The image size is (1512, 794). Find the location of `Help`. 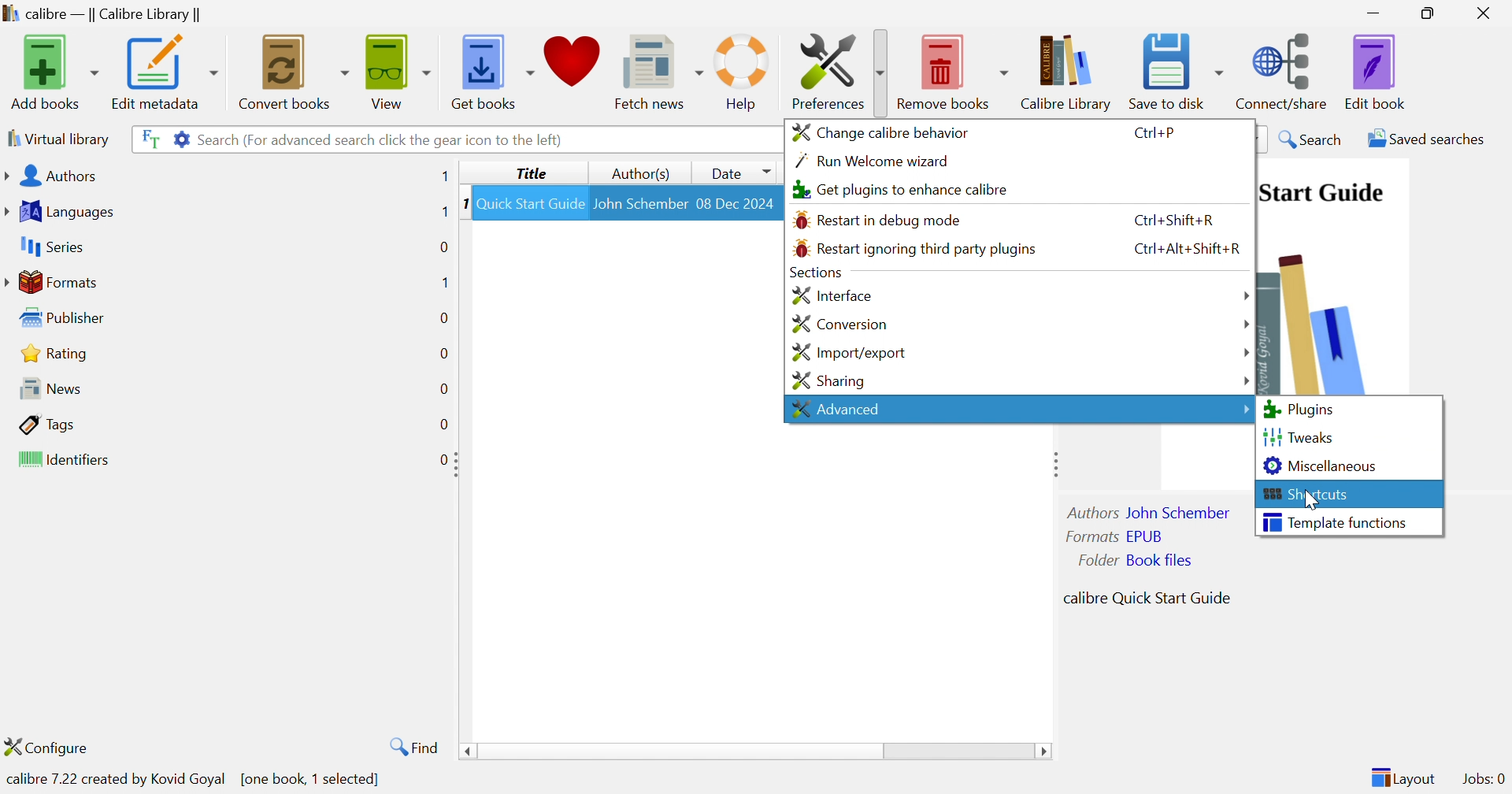

Help is located at coordinates (743, 72).